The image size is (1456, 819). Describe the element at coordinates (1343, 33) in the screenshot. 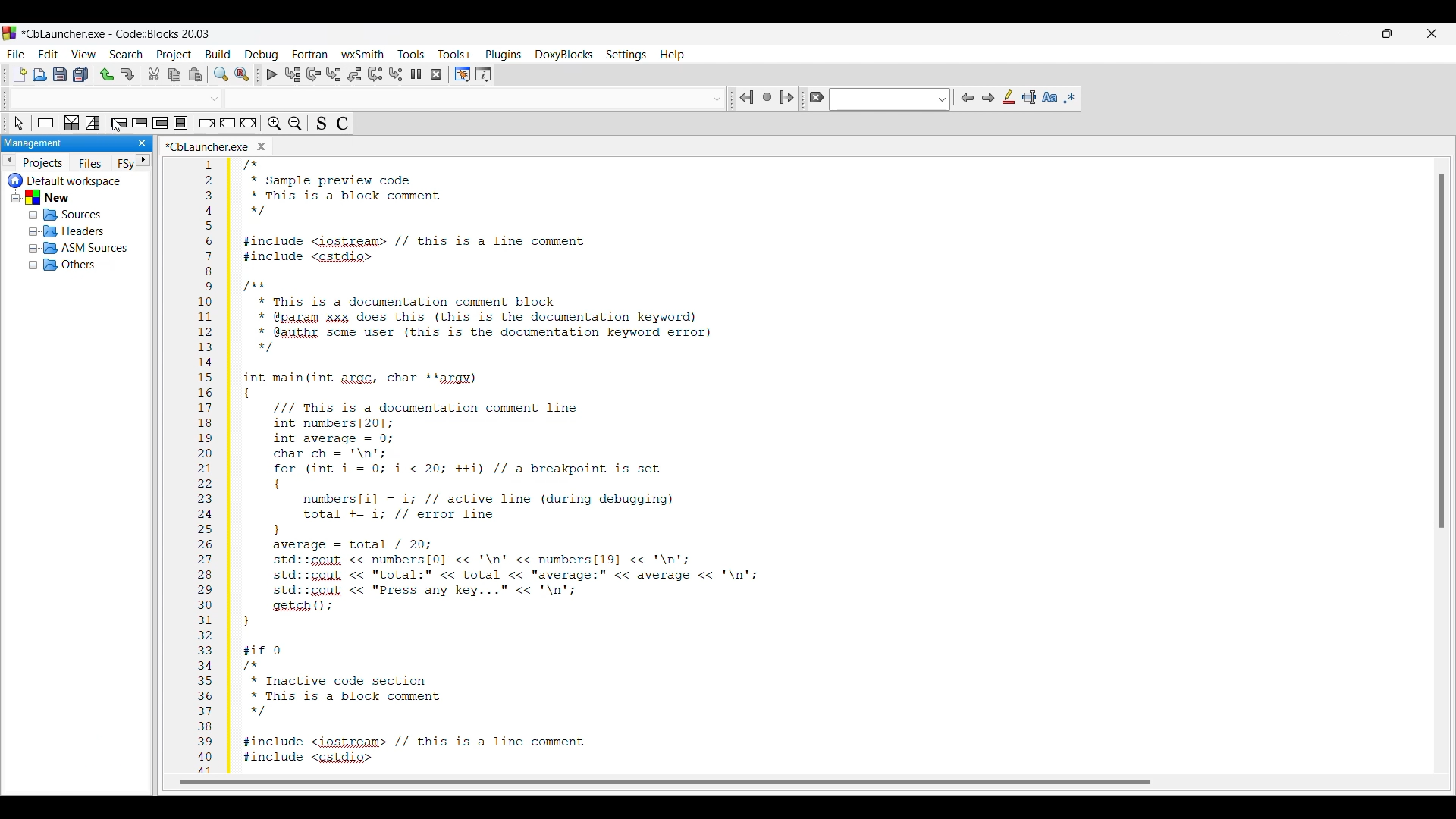

I see `Minimize` at that location.